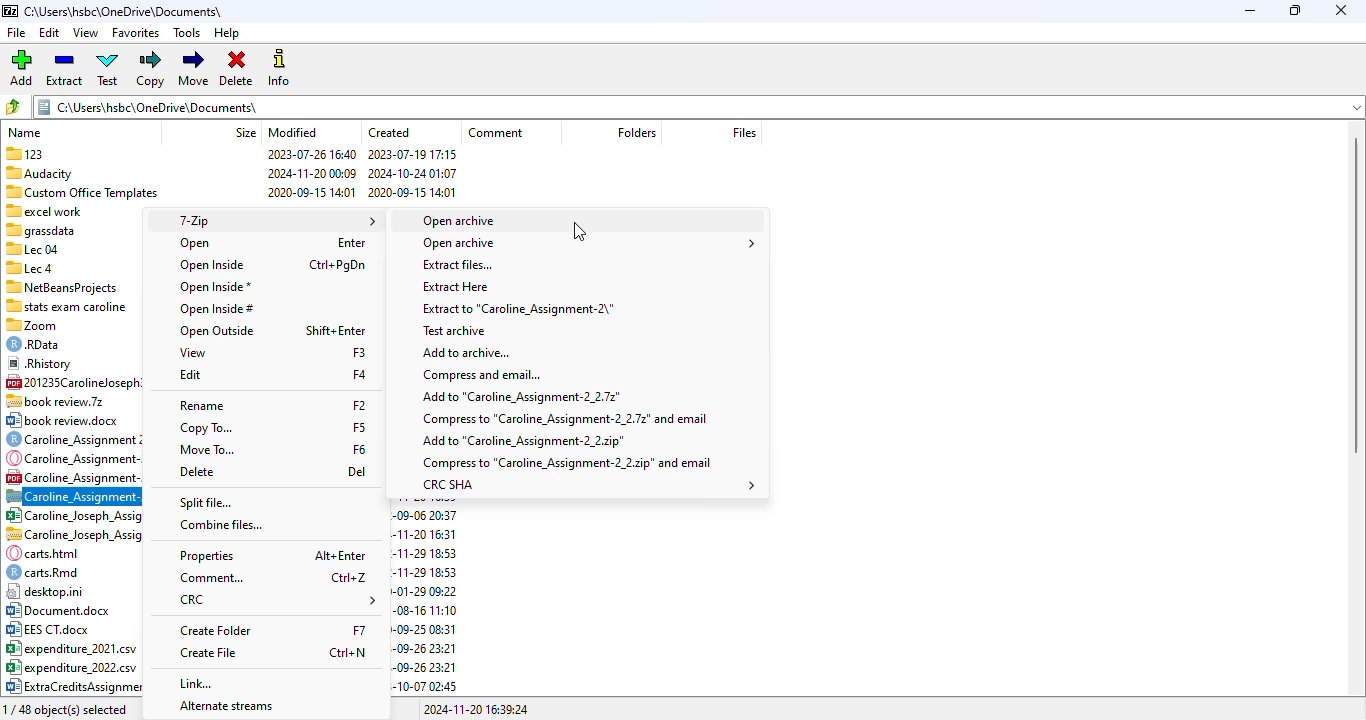 Image resolution: width=1366 pixels, height=720 pixels. I want to click on © book review.doox 12655 2020-09-24 10:44 2020-09-25 08:31, so click(69, 420).